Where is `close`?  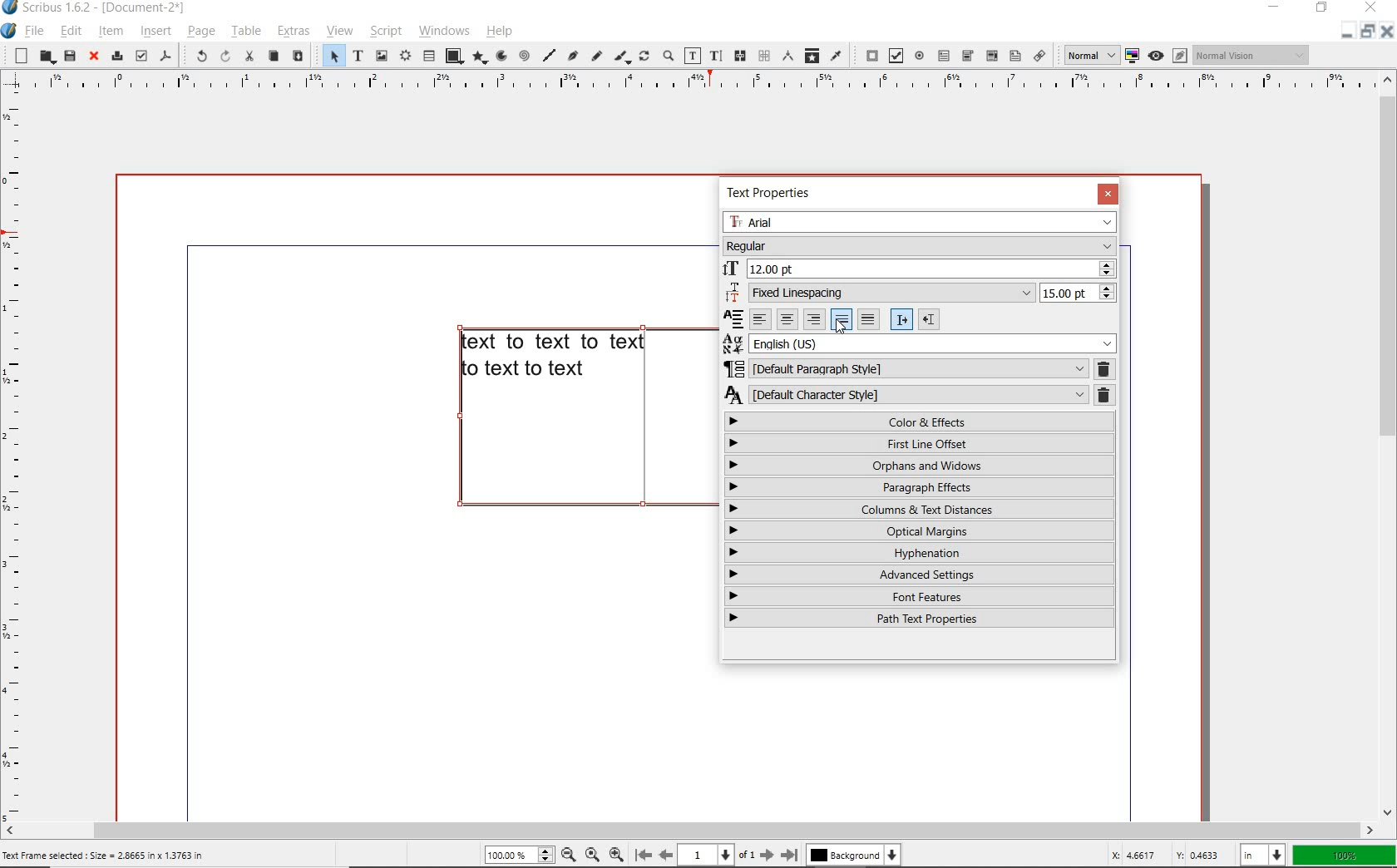 close is located at coordinates (93, 57).